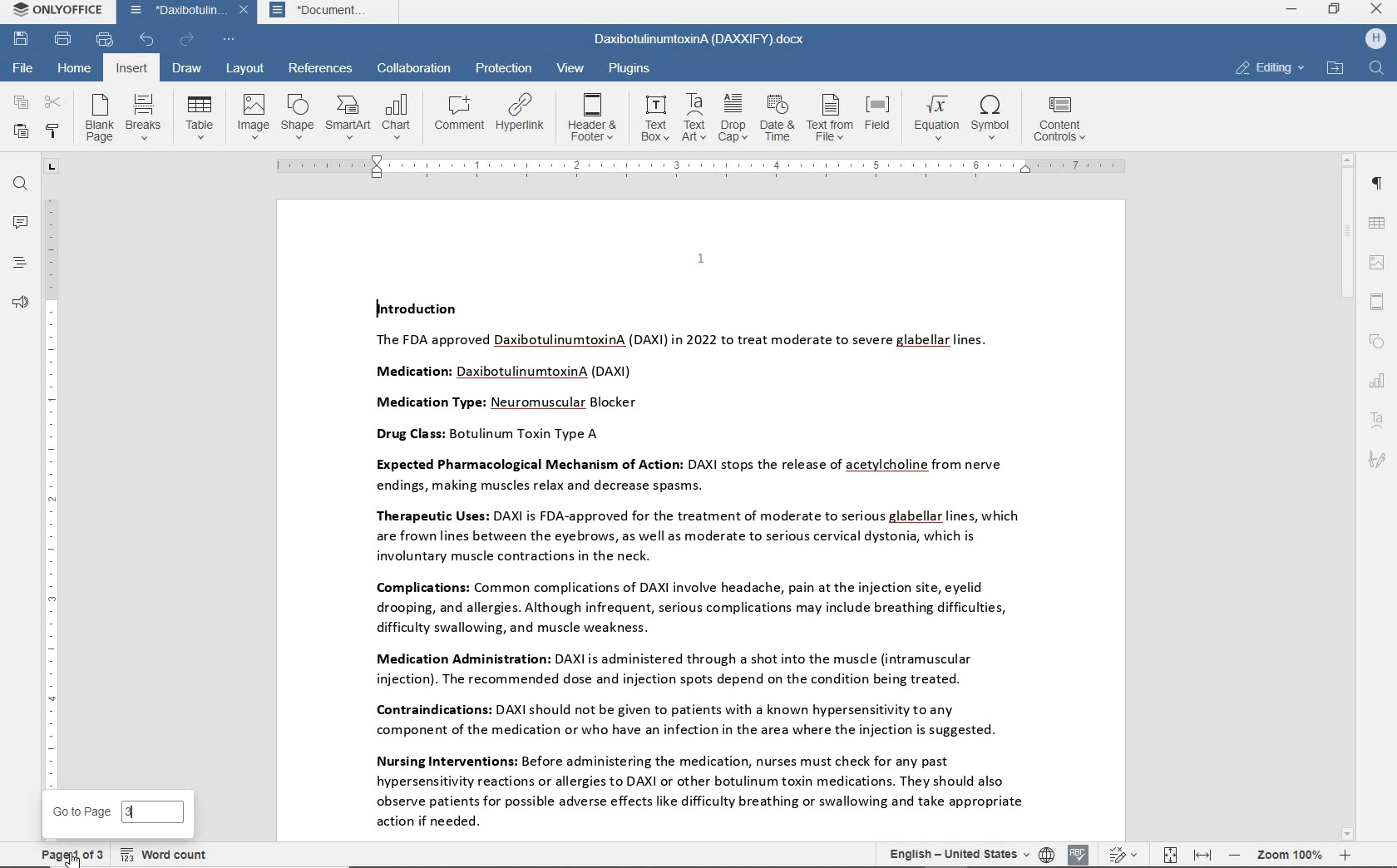  Describe the element at coordinates (21, 131) in the screenshot. I see `paste` at that location.